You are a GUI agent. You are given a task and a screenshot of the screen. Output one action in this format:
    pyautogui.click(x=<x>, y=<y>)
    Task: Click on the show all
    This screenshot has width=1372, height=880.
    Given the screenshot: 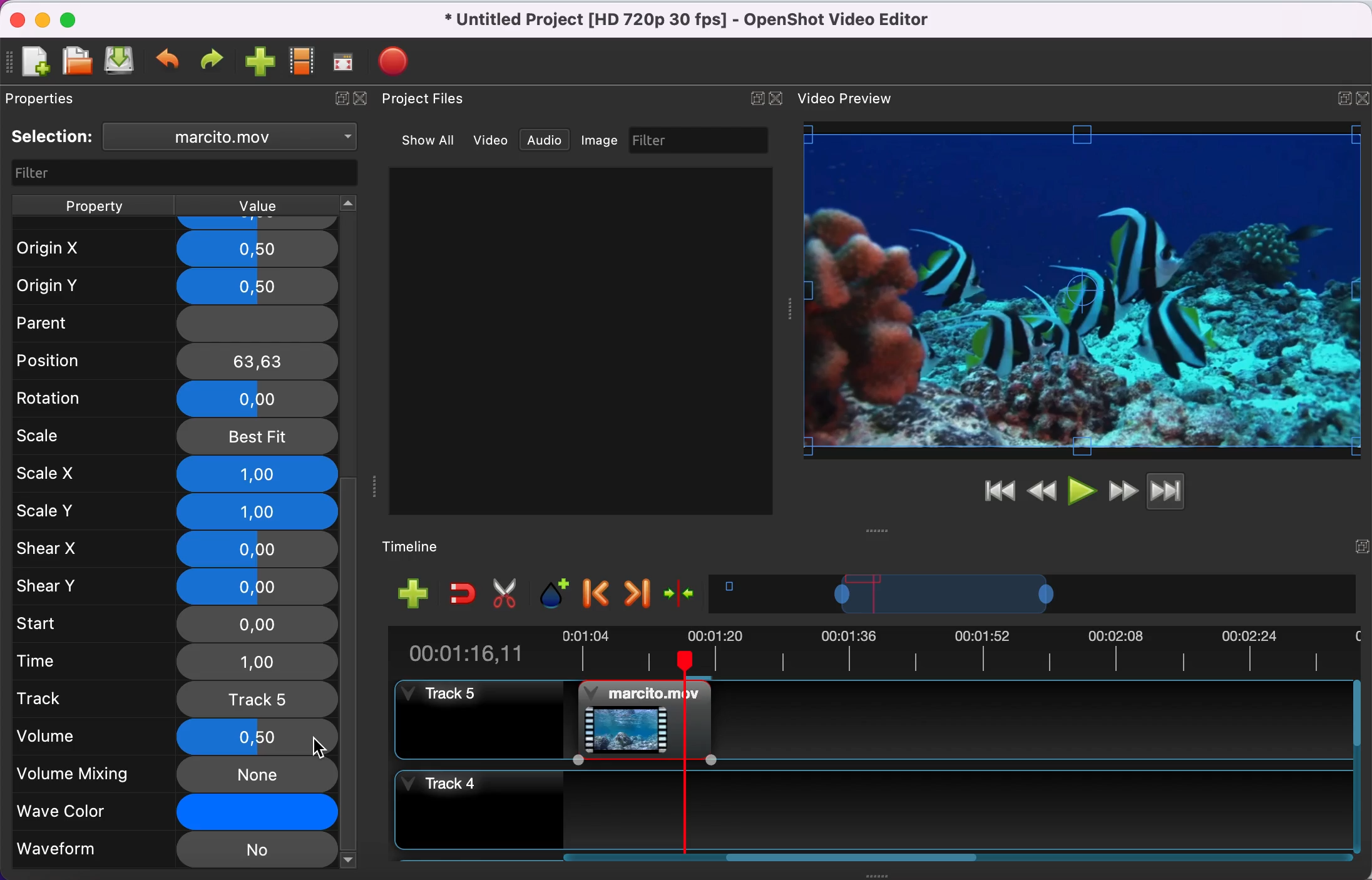 What is the action you would take?
    pyautogui.click(x=422, y=138)
    